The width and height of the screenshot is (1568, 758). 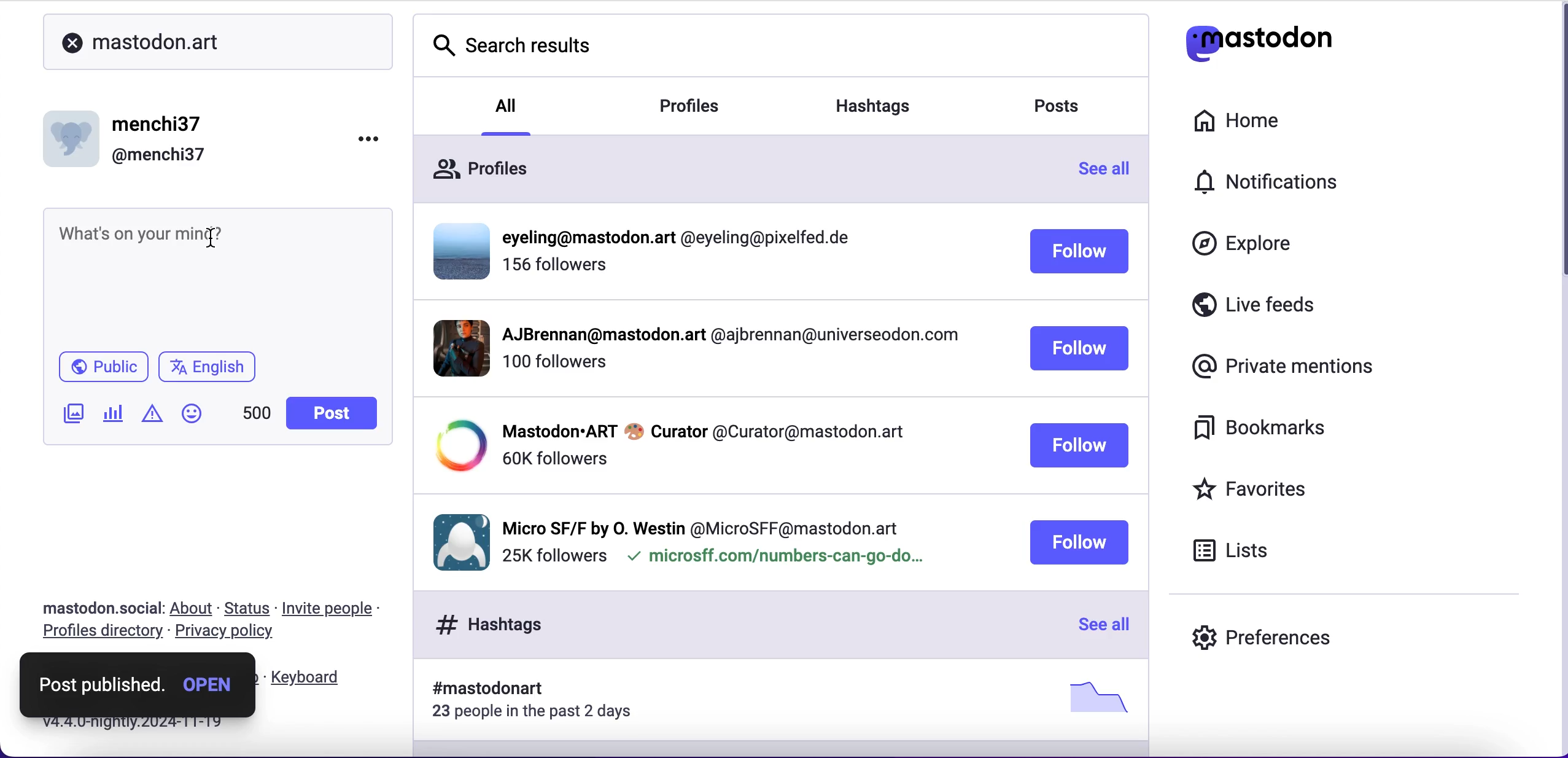 I want to click on post, so click(x=327, y=412).